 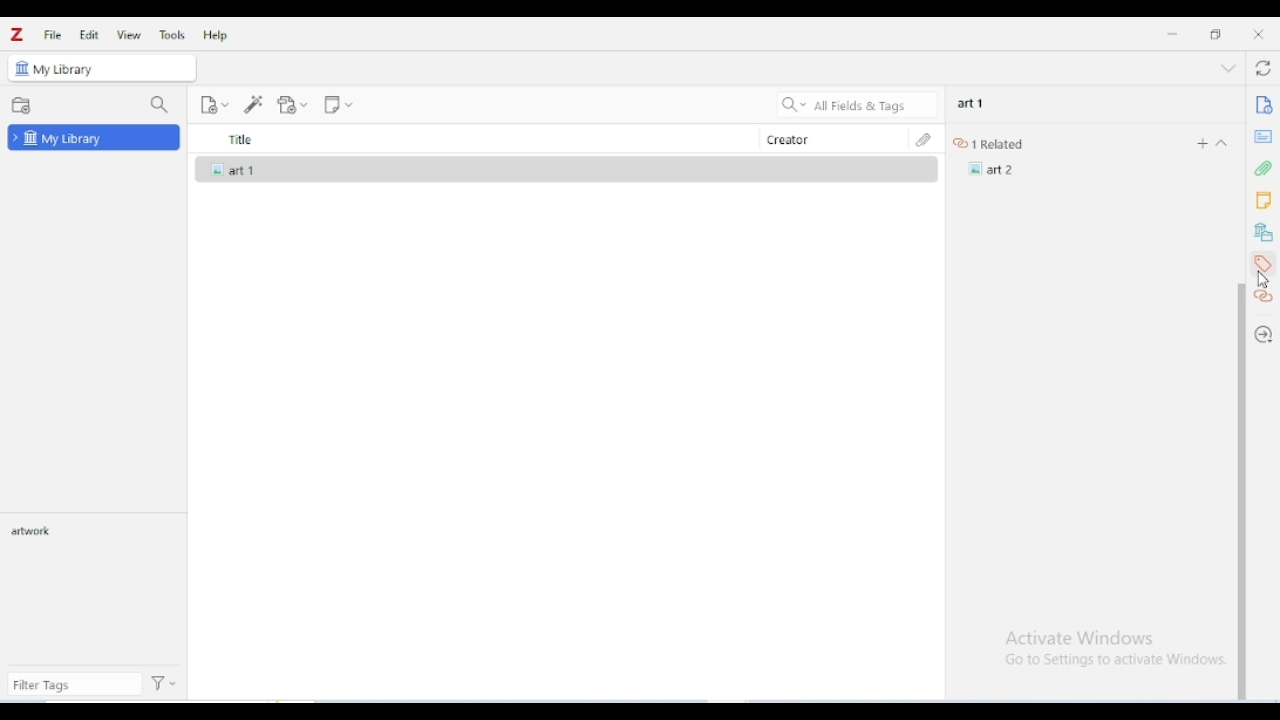 What do you see at coordinates (565, 169) in the screenshot?
I see `art 1` at bounding box center [565, 169].